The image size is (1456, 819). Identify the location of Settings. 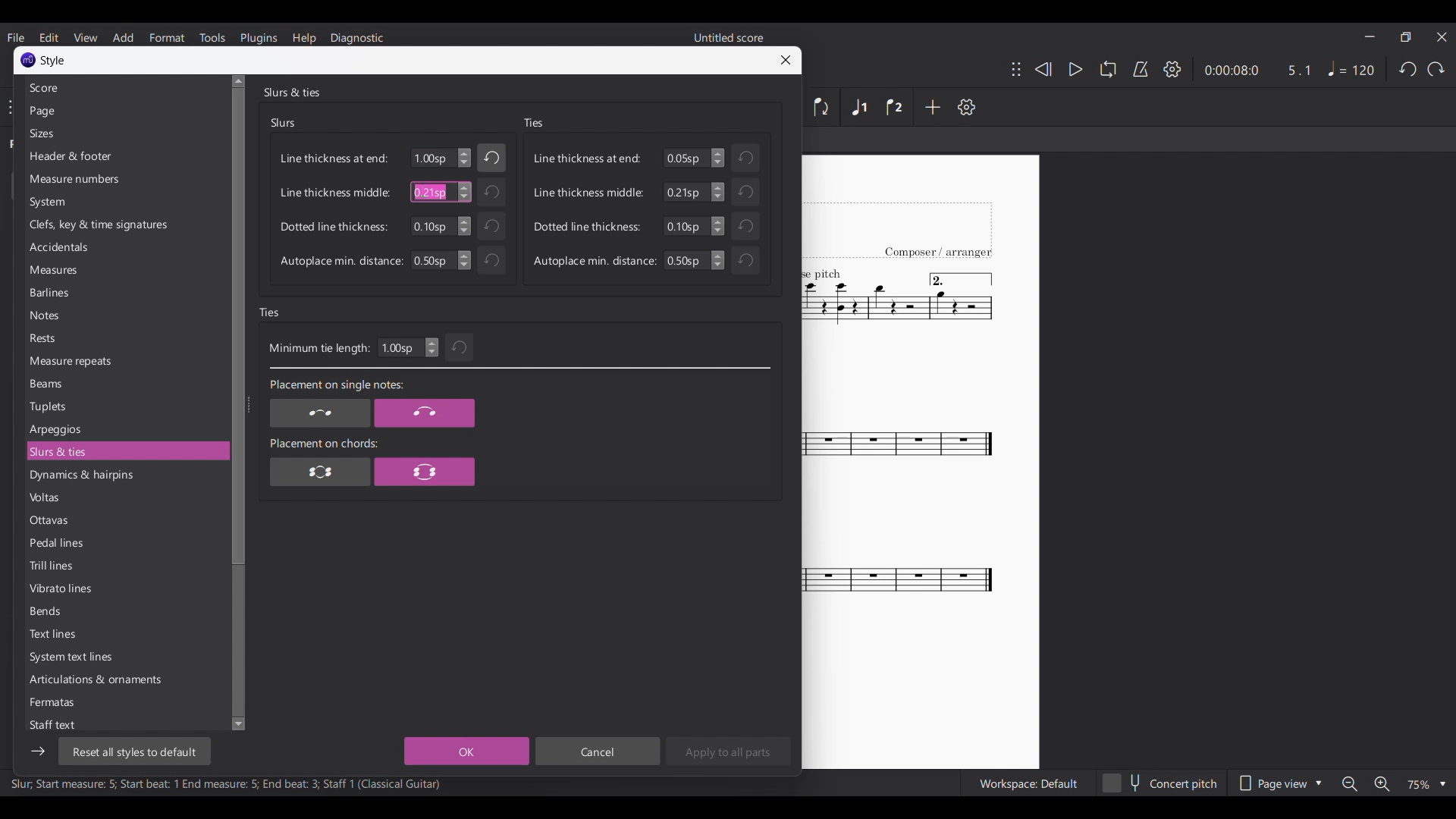
(1172, 69).